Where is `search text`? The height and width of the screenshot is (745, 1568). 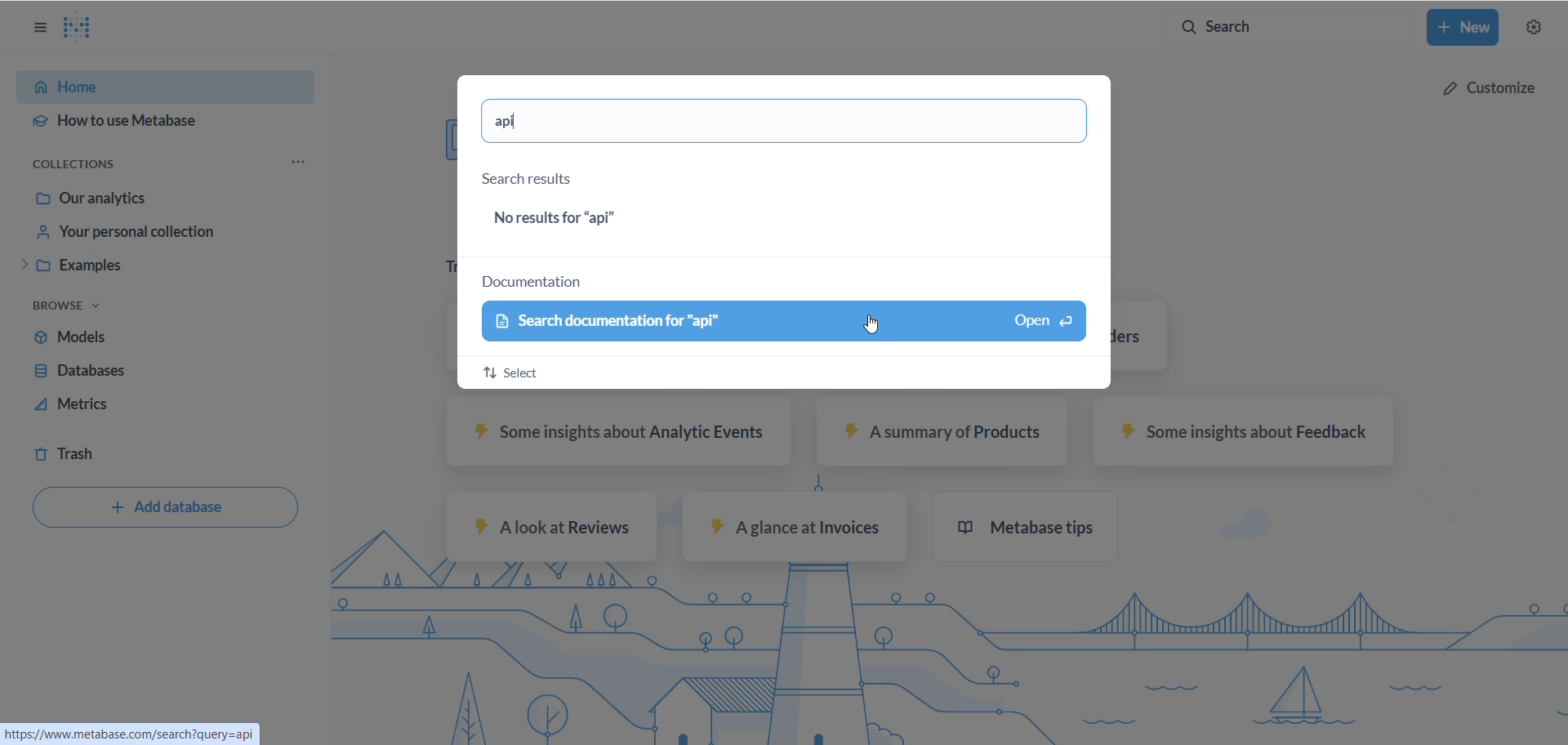 search text is located at coordinates (512, 120).